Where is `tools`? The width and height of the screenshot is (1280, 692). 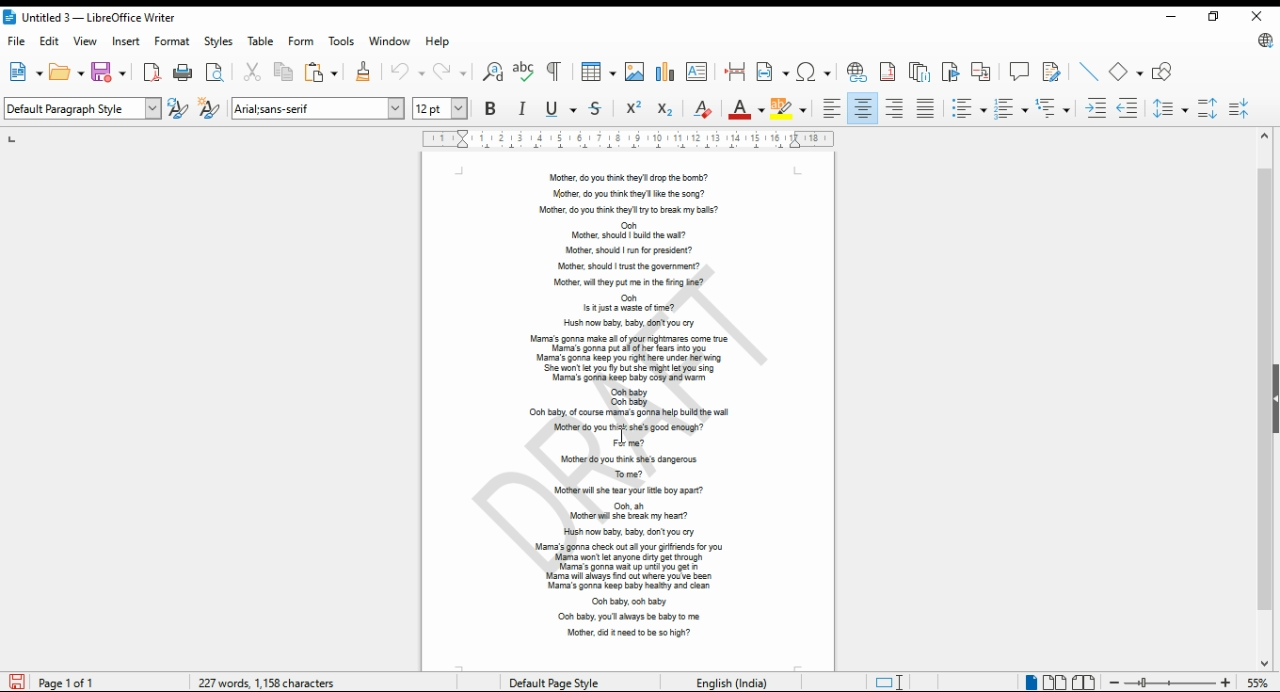 tools is located at coordinates (344, 41).